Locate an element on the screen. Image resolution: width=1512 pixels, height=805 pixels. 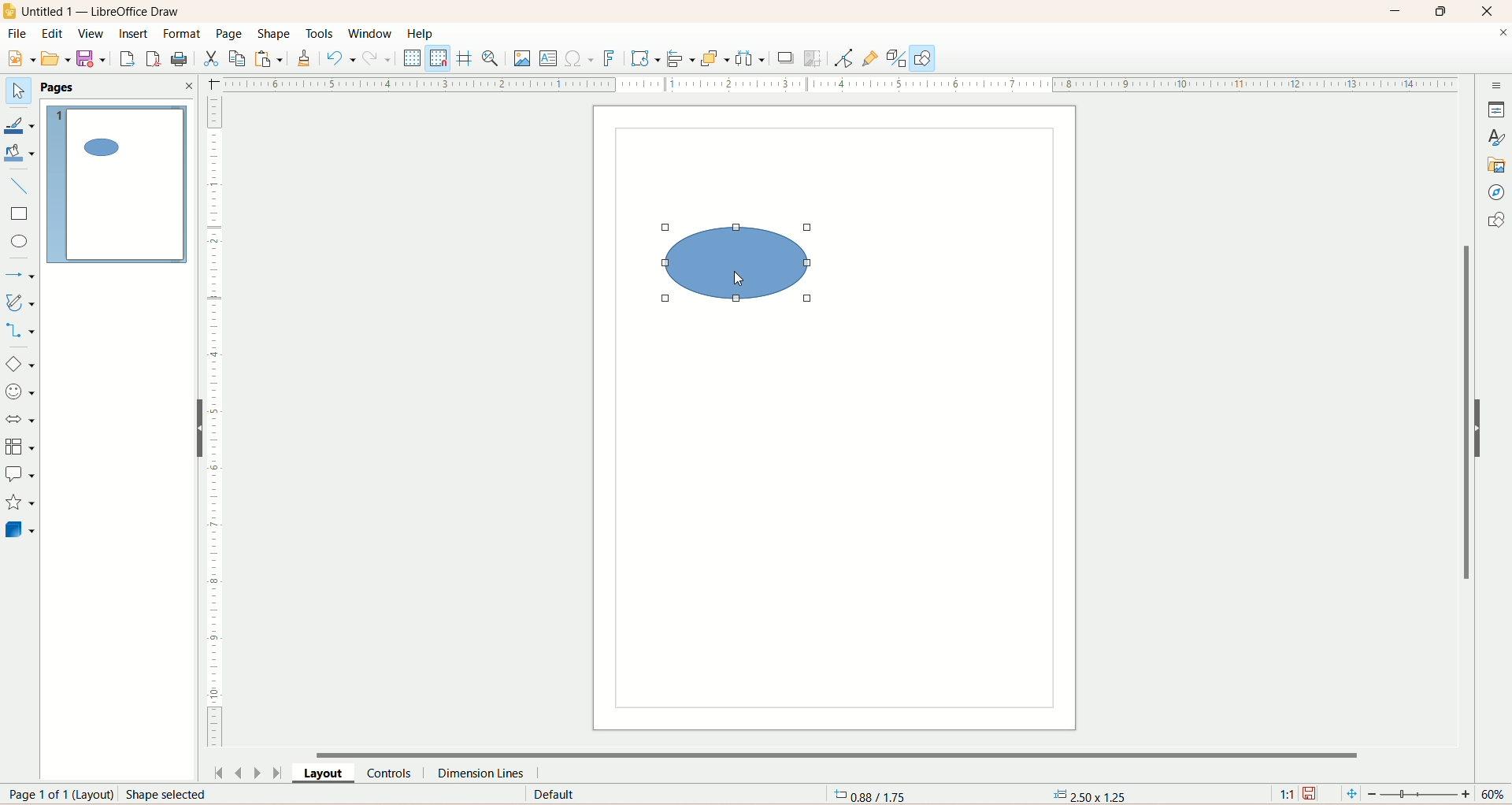
open is located at coordinates (54, 57).